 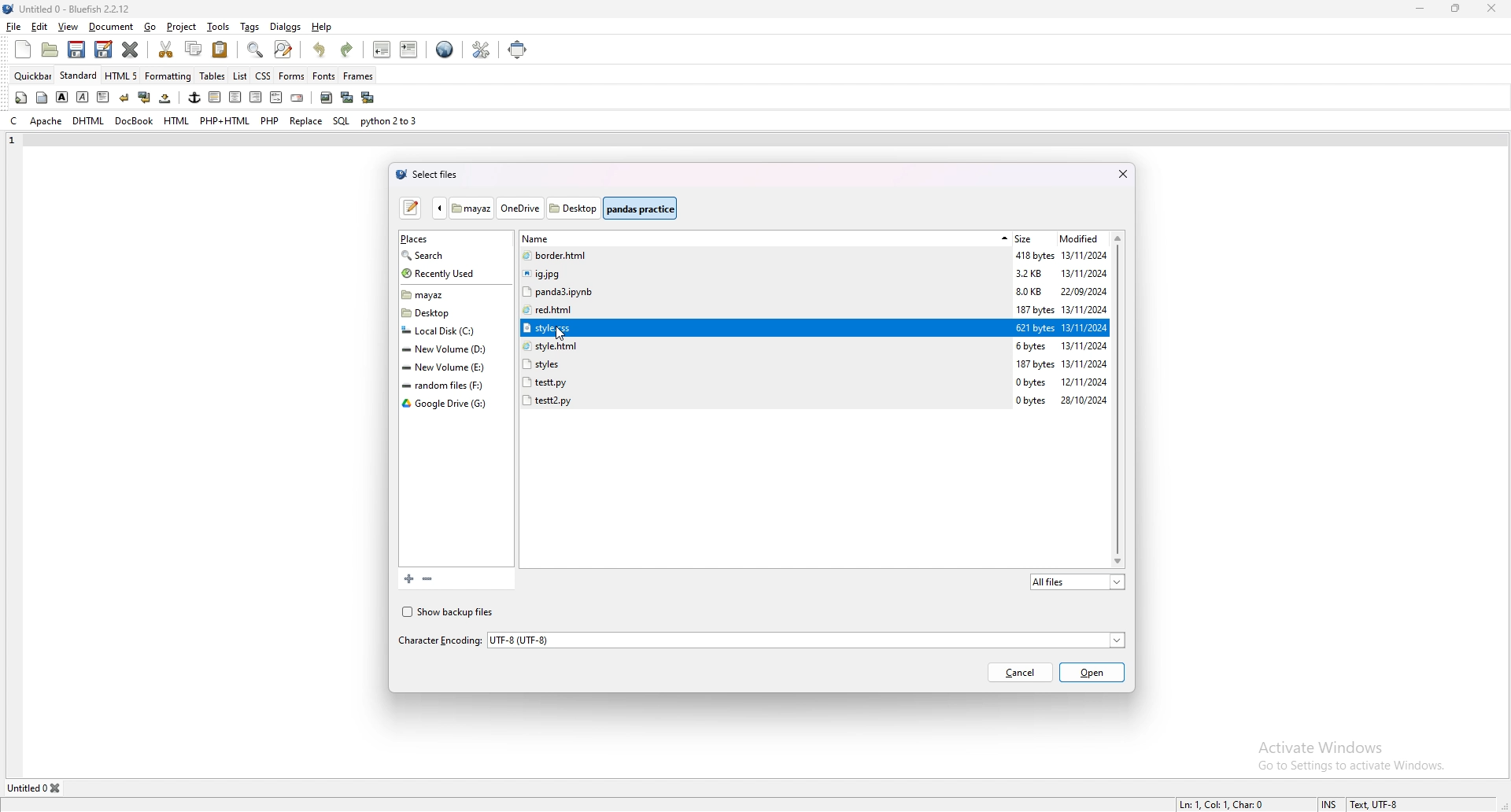 I want to click on html comment, so click(x=277, y=98).